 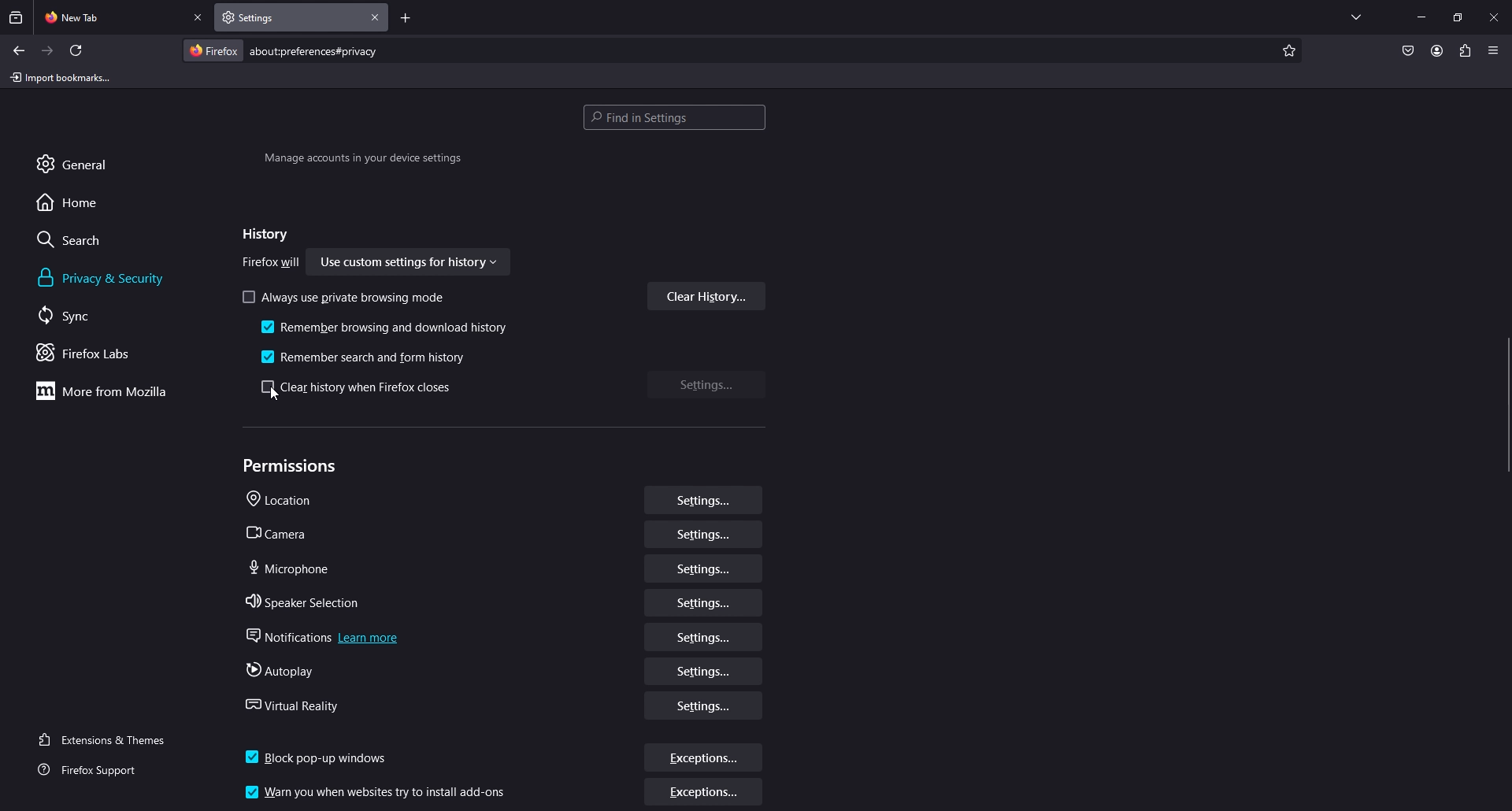 I want to click on profile, so click(x=1436, y=50).